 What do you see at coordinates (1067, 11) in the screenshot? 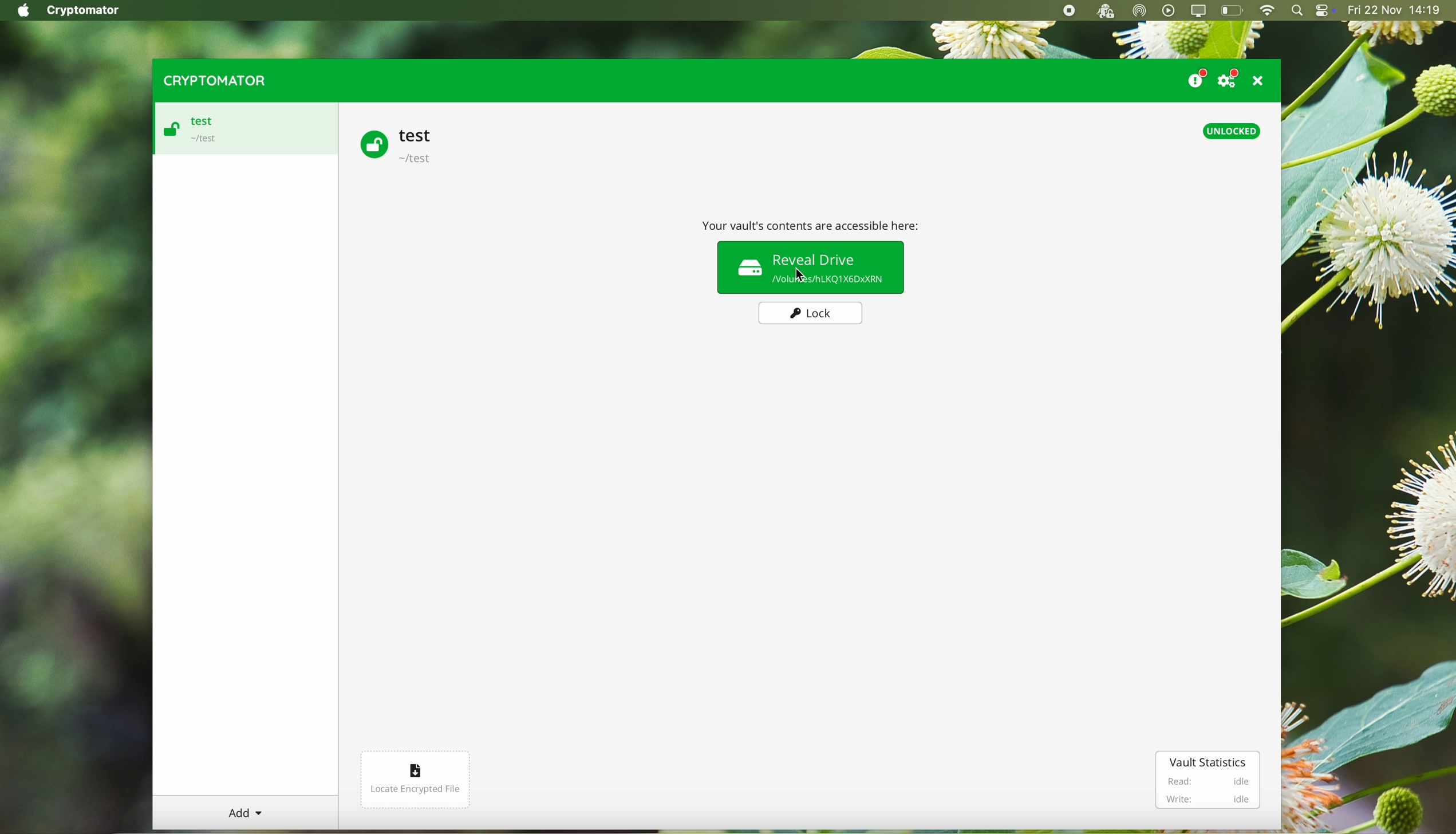
I see `stop recording` at bounding box center [1067, 11].